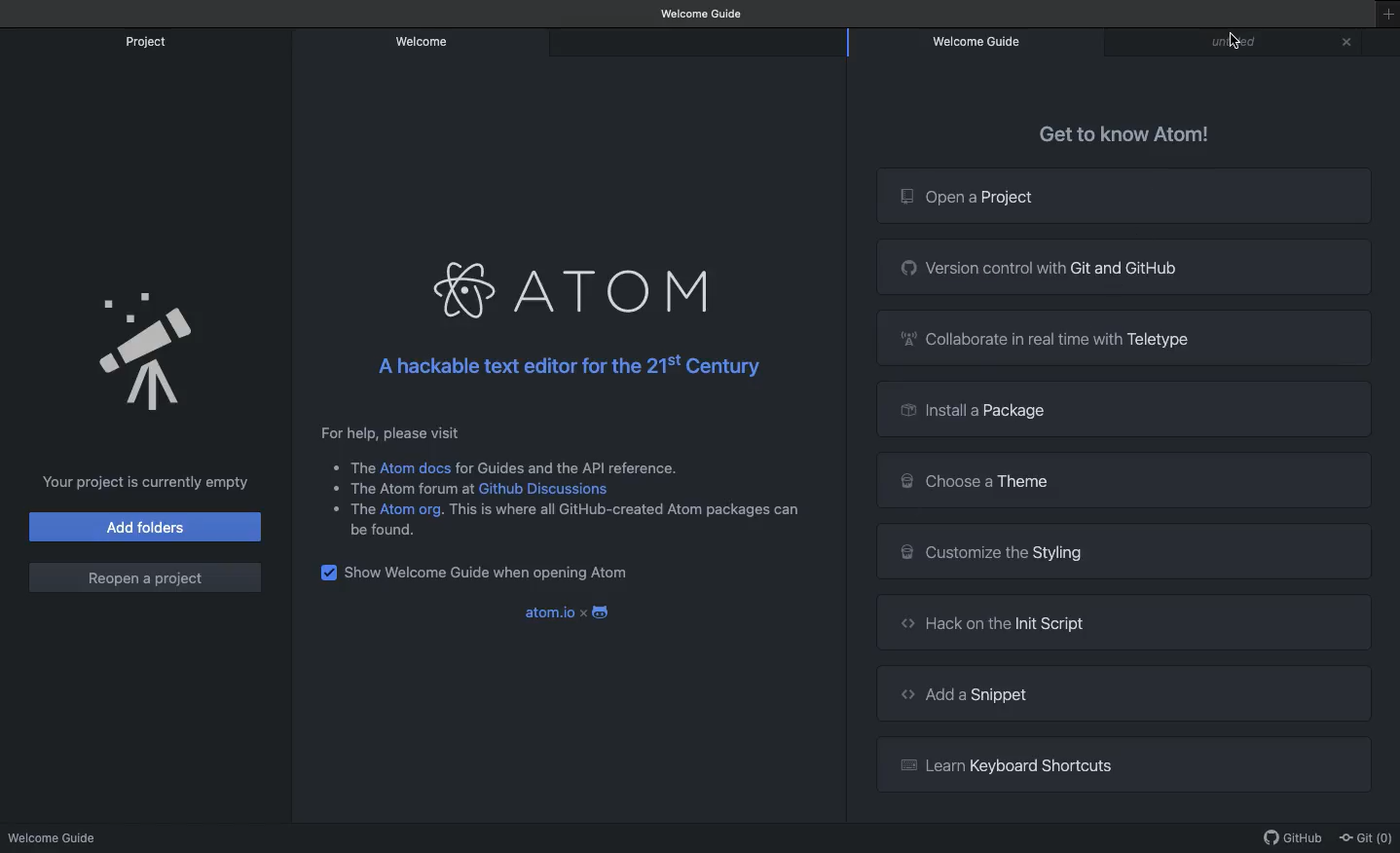 This screenshot has height=853, width=1400. I want to click on Hack on the init script, so click(1150, 621).